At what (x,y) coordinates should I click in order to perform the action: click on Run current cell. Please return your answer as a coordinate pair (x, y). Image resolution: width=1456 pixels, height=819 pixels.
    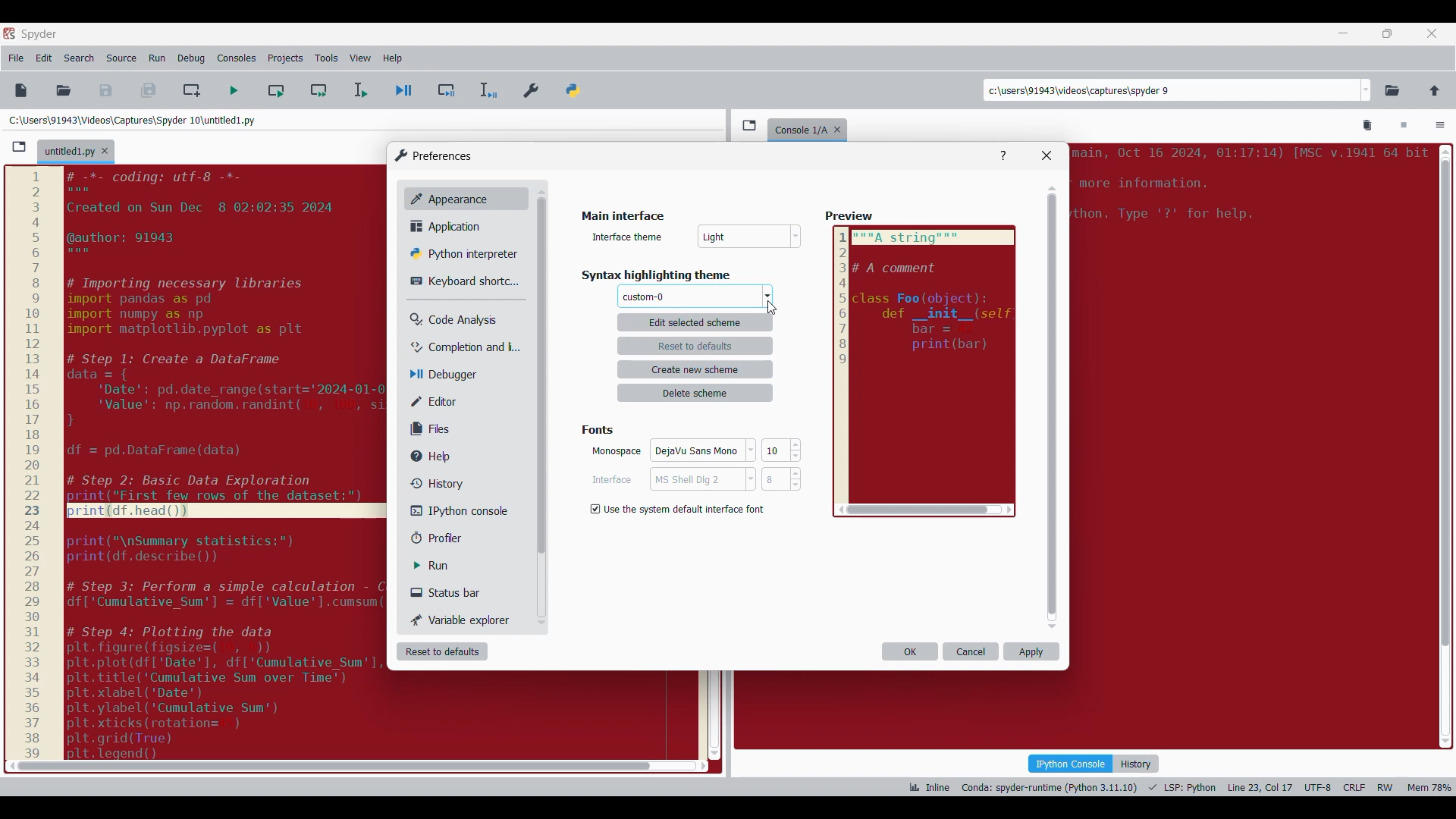
    Looking at the image, I should click on (276, 90).